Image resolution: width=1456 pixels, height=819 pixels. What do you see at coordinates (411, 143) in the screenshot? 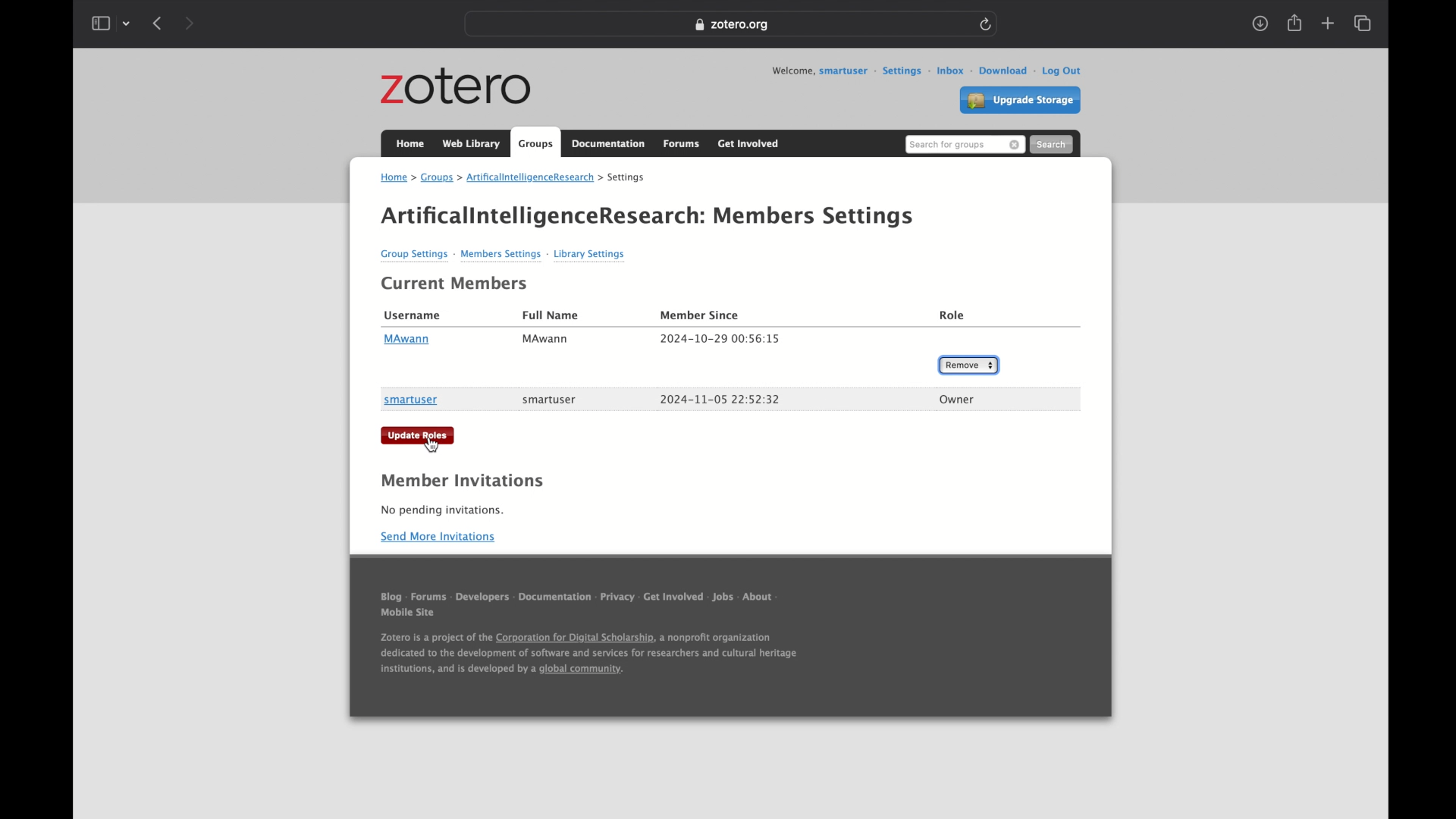
I see `home` at bounding box center [411, 143].